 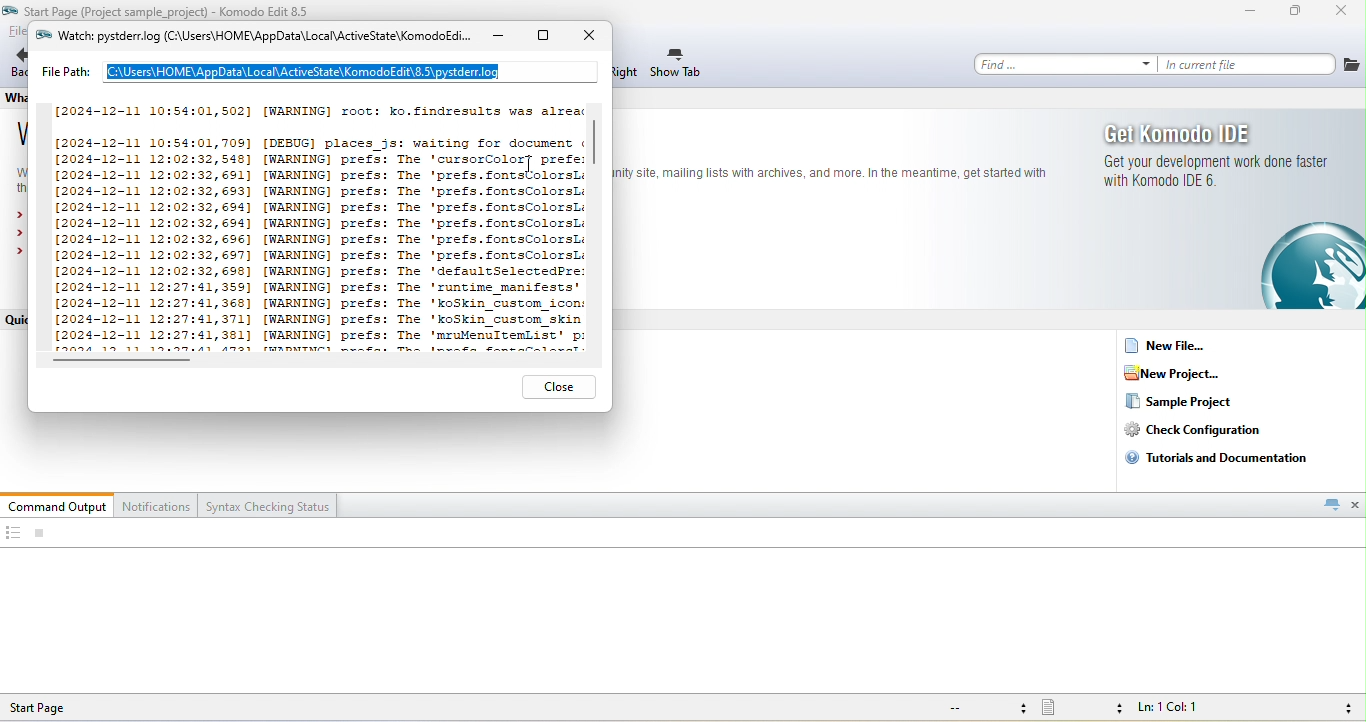 What do you see at coordinates (1184, 133) in the screenshot?
I see `get komodo ide` at bounding box center [1184, 133].